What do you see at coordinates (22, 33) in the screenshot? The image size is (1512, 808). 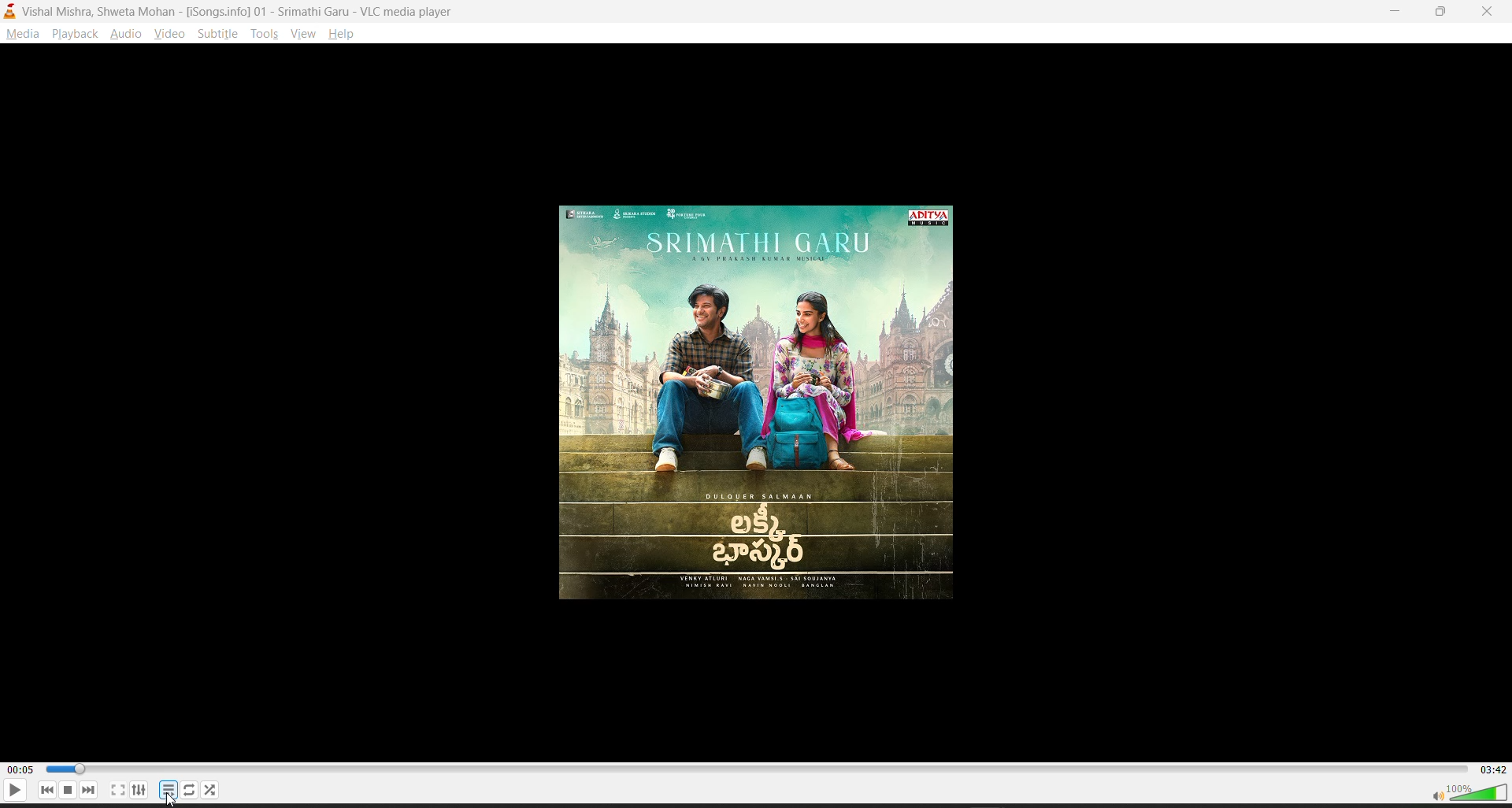 I see `media` at bounding box center [22, 33].